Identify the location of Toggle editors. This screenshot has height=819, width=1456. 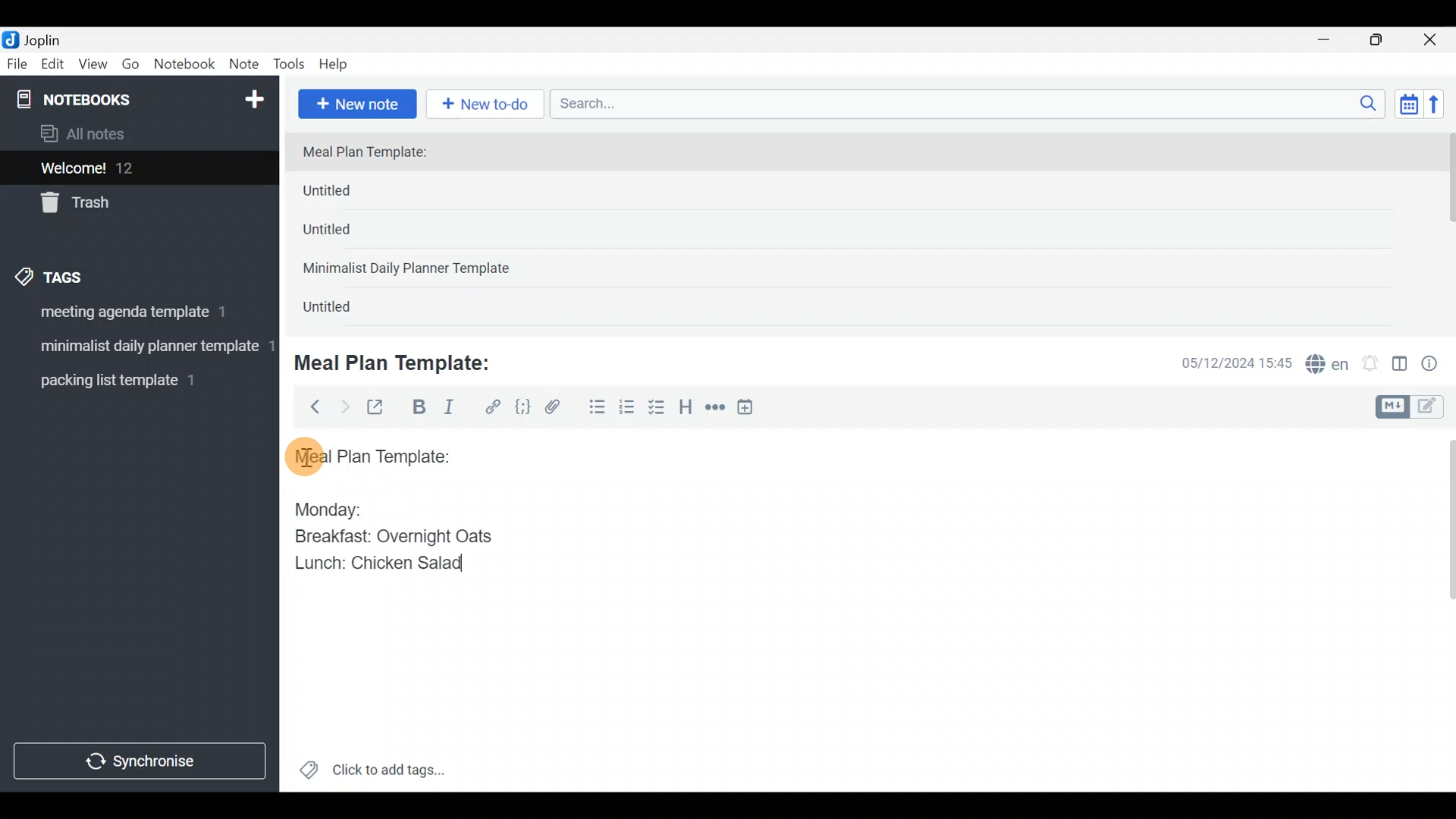
(1414, 405).